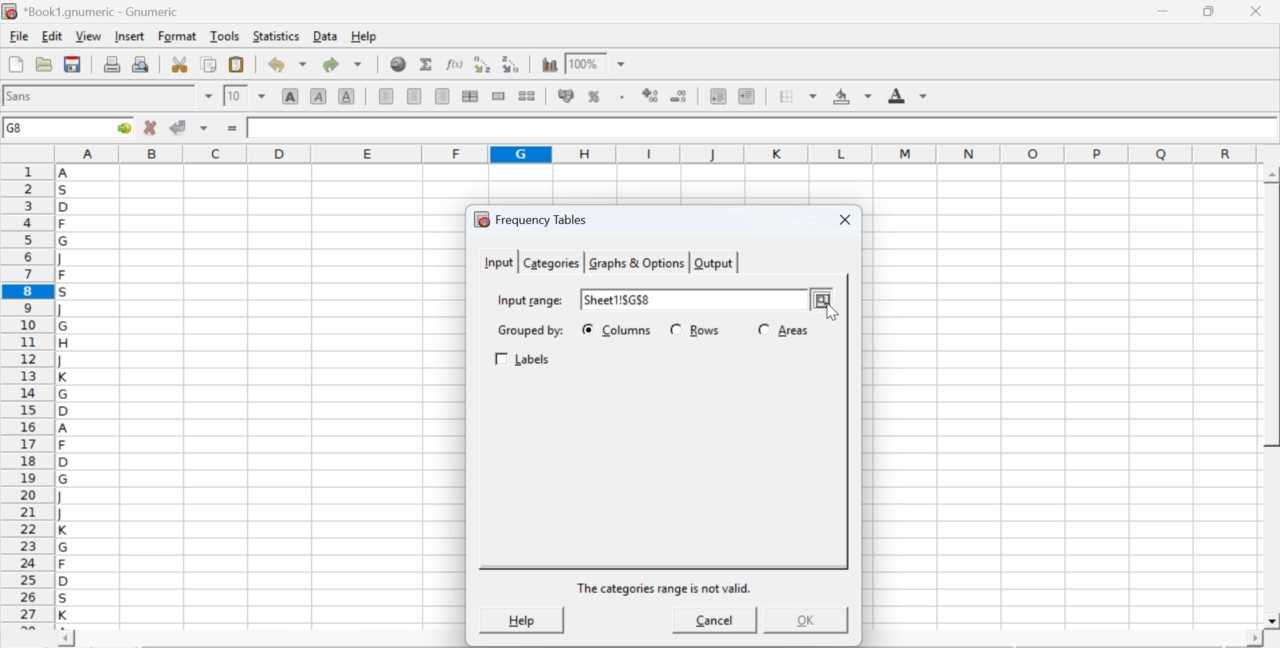  What do you see at coordinates (141, 63) in the screenshot?
I see `print preview` at bounding box center [141, 63].